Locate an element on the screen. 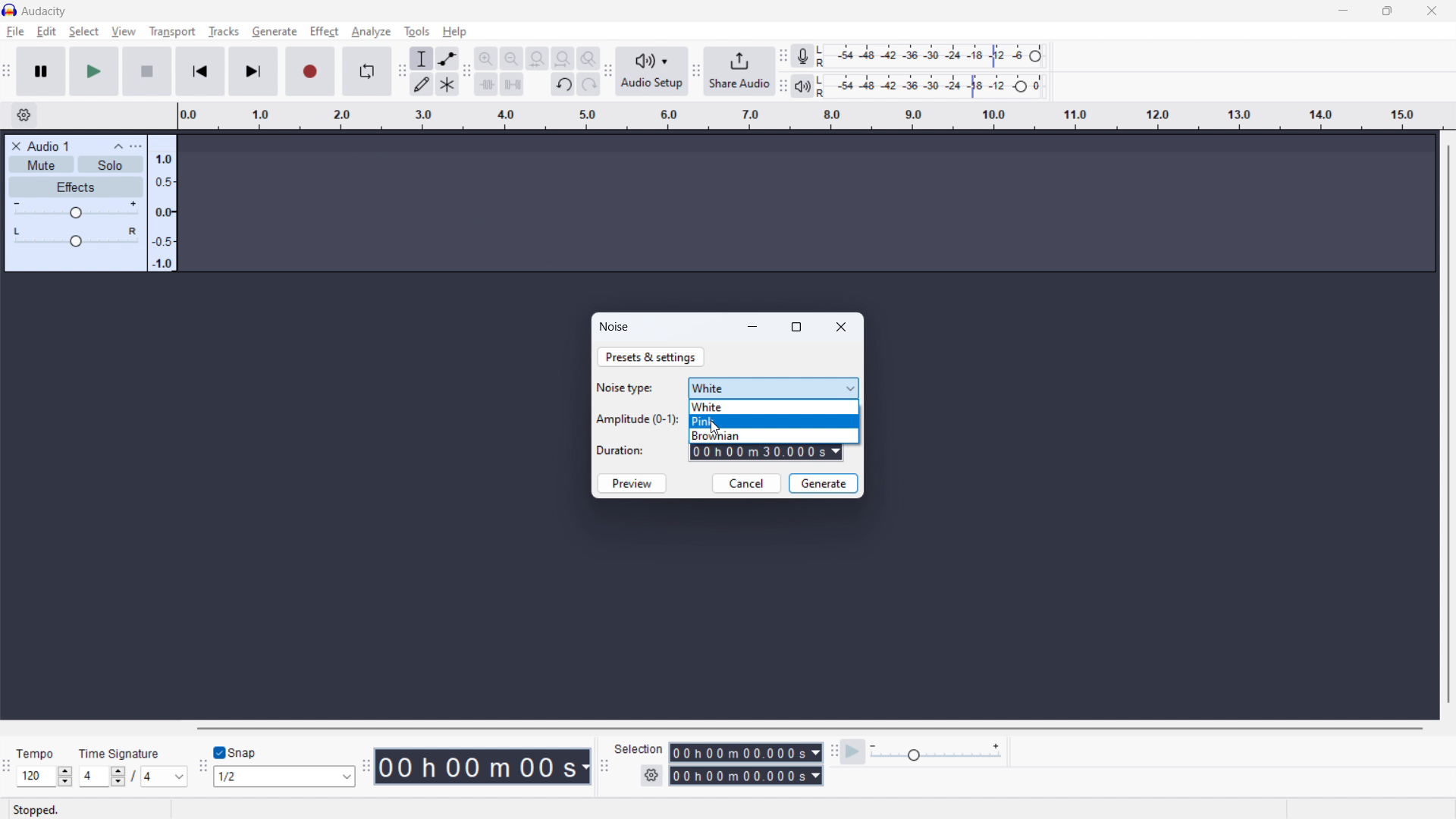 The height and width of the screenshot is (819, 1456). close is located at coordinates (843, 327).